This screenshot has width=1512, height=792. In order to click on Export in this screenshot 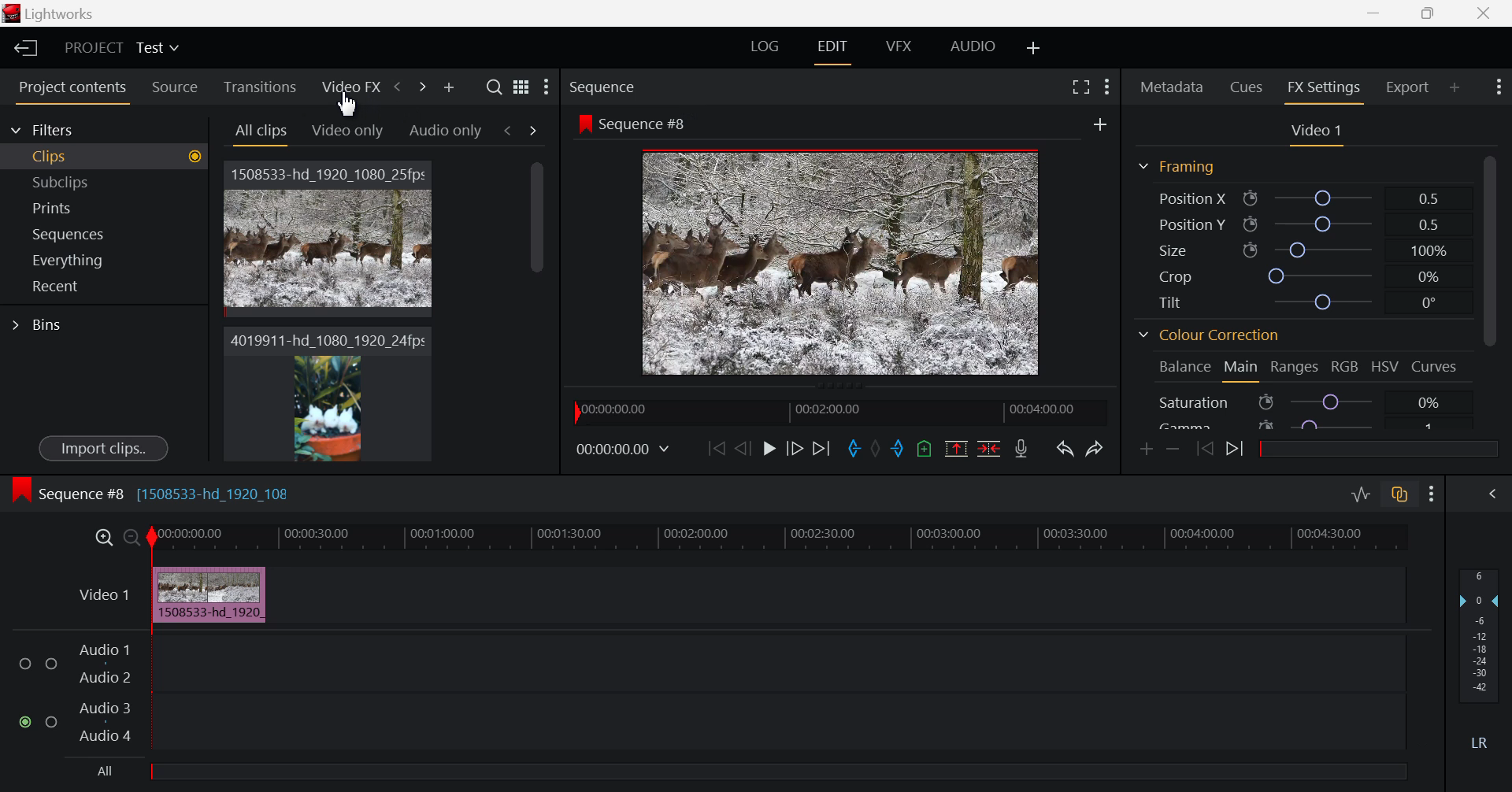, I will do `click(1409, 87)`.